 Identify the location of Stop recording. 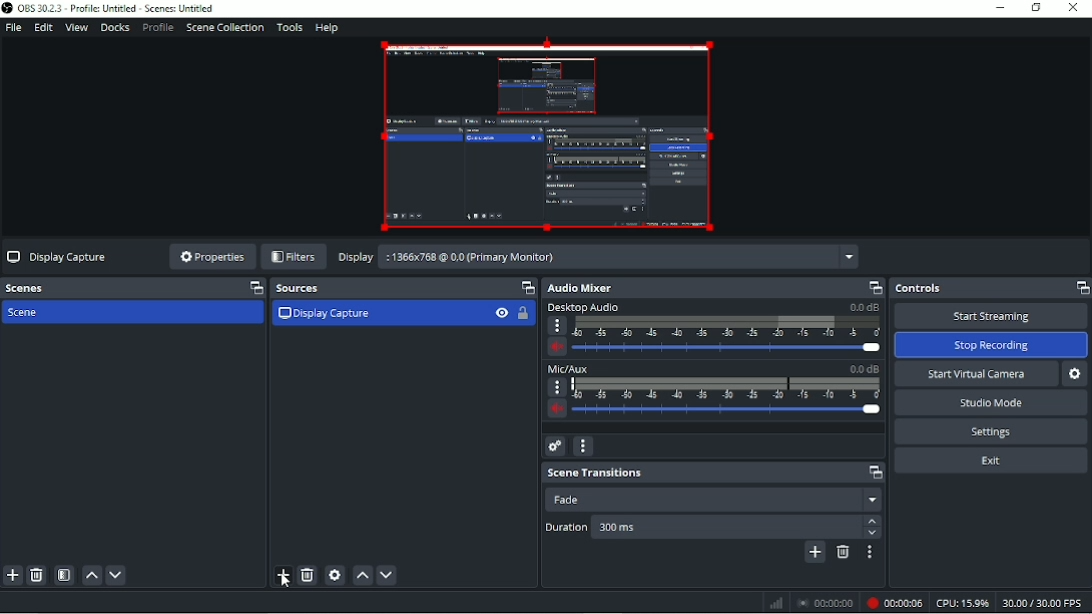
(826, 602).